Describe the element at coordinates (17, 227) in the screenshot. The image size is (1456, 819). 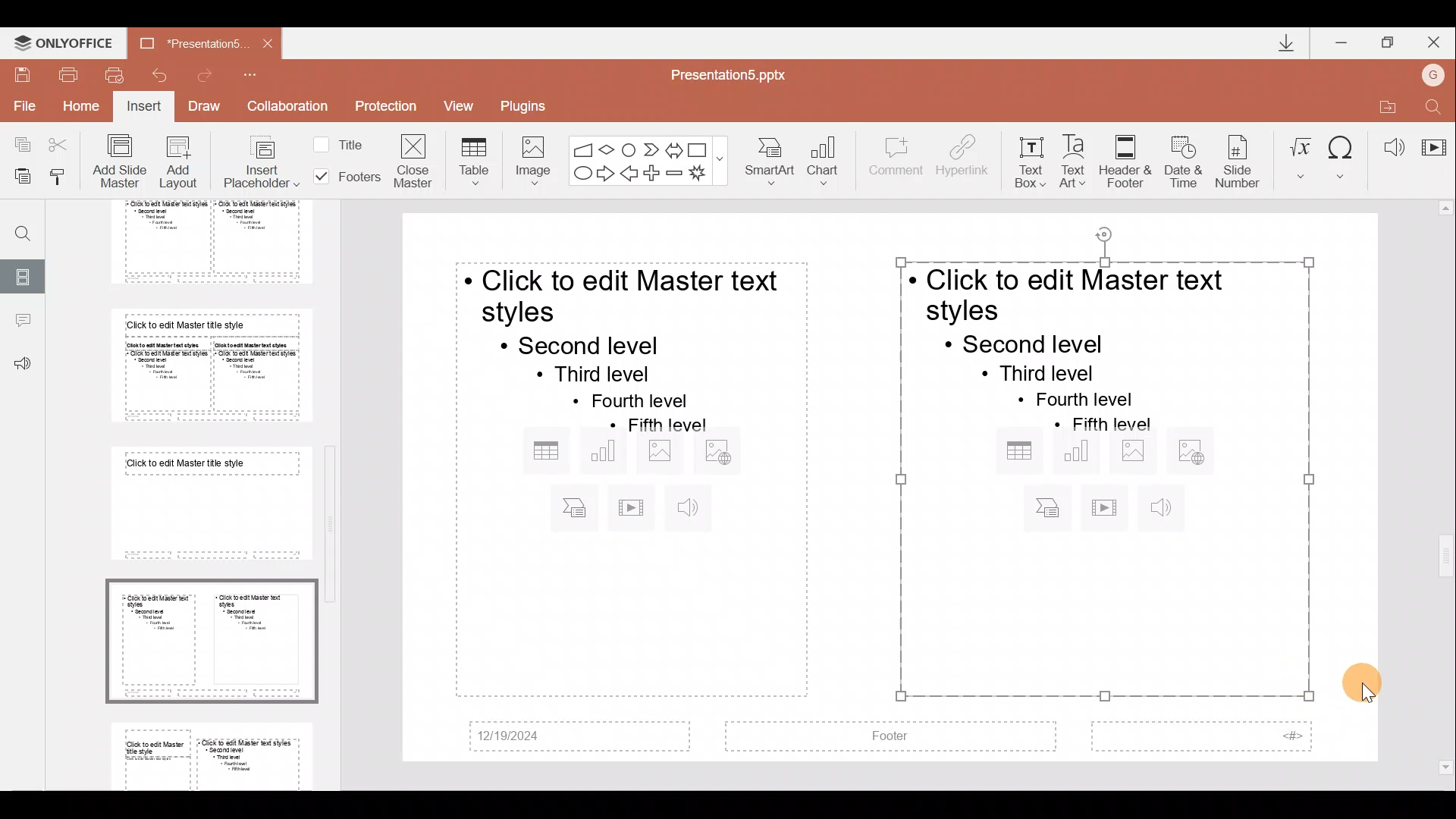
I see `Find` at that location.